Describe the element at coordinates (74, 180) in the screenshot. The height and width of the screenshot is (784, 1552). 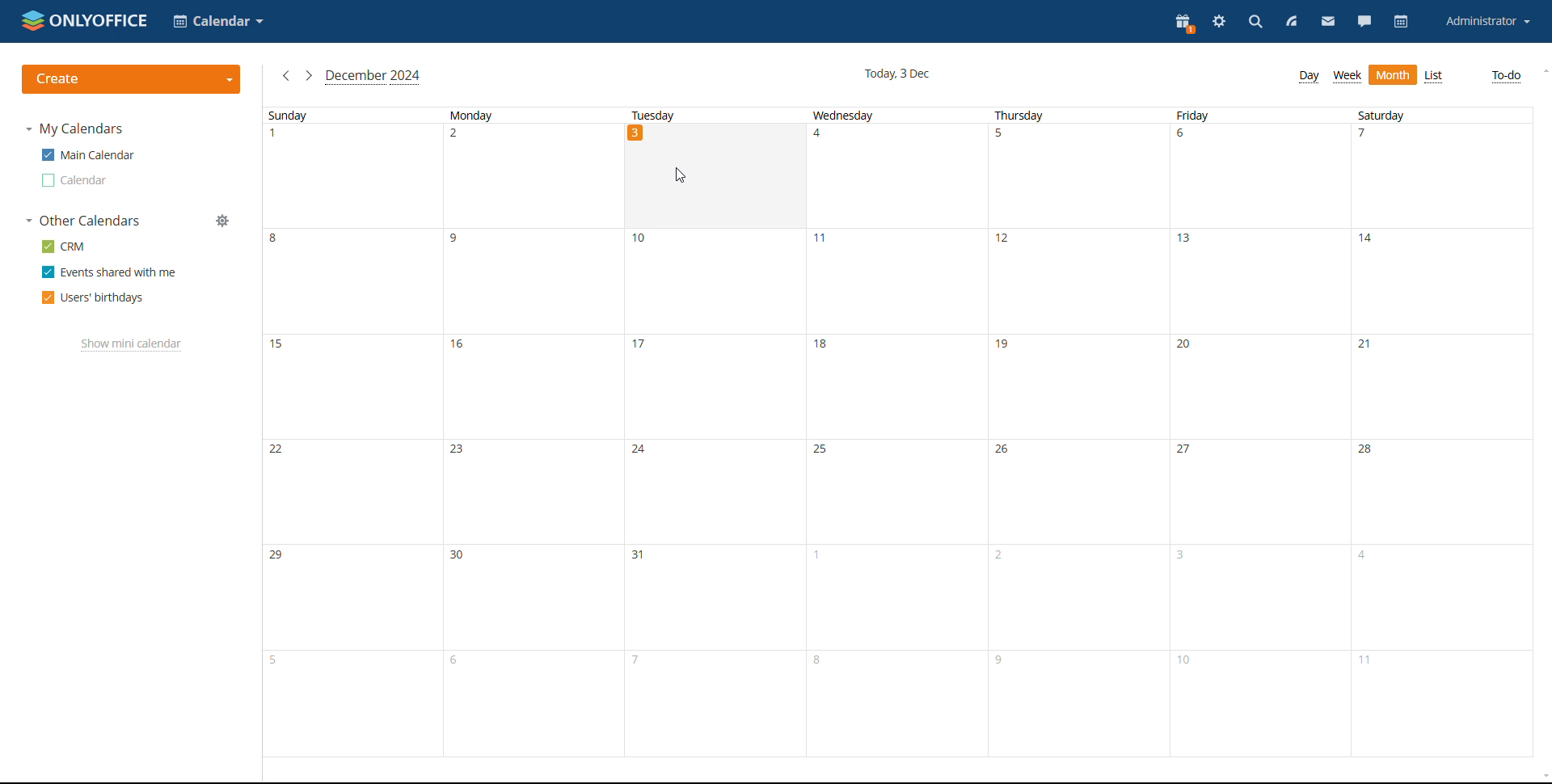
I see `other calendar` at that location.